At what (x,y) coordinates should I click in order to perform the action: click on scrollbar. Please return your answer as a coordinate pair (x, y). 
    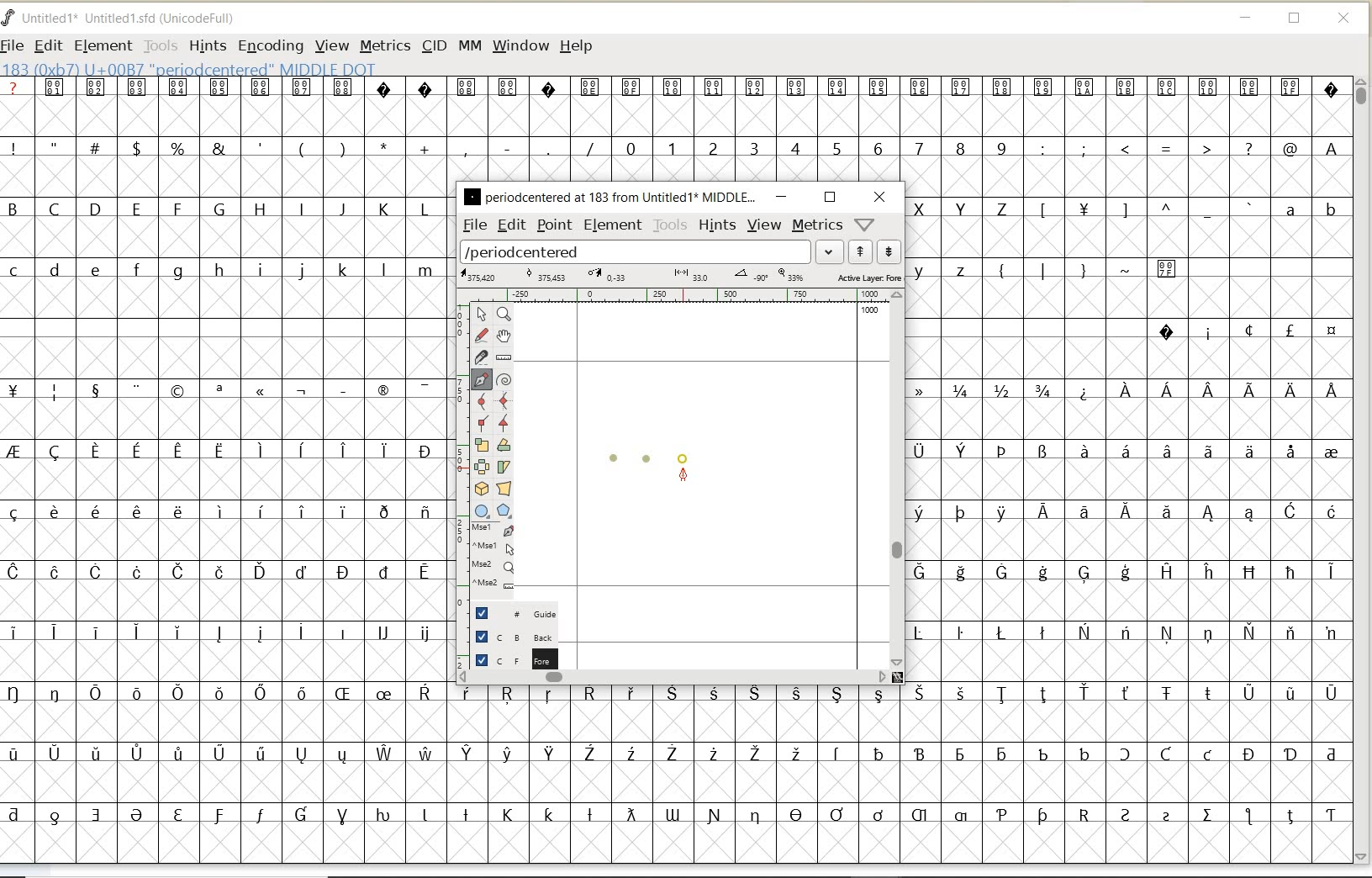
    Looking at the image, I should click on (673, 677).